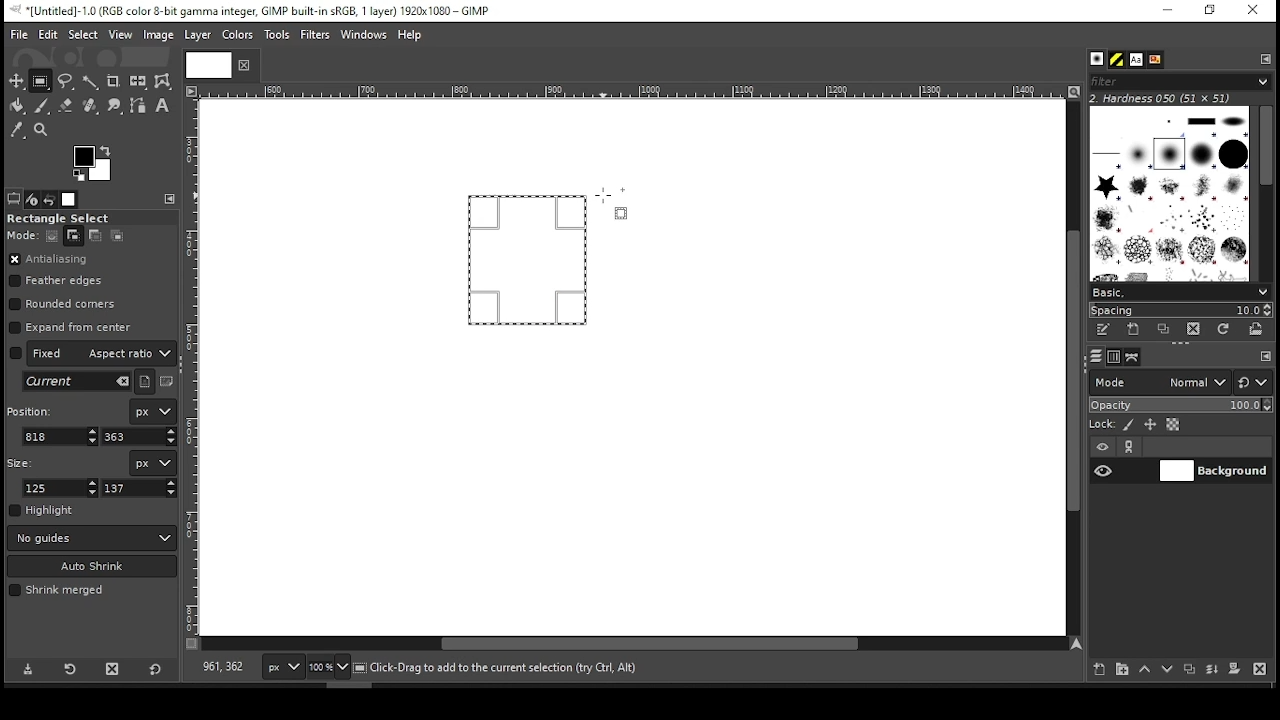 Image resolution: width=1280 pixels, height=720 pixels. What do you see at coordinates (365, 36) in the screenshot?
I see `windows` at bounding box center [365, 36].